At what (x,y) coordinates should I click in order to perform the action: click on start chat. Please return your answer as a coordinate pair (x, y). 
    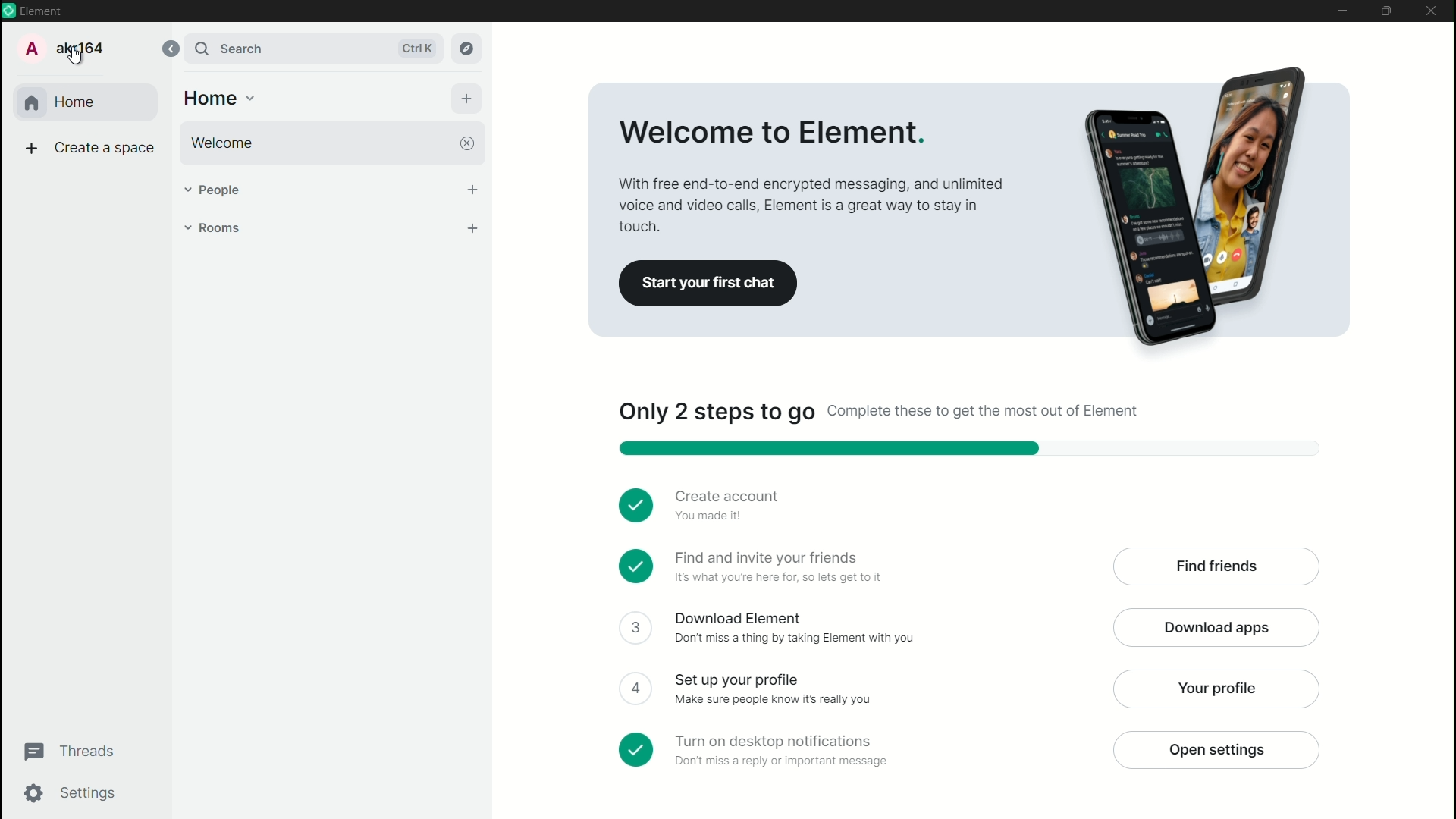
    Looking at the image, I should click on (473, 190).